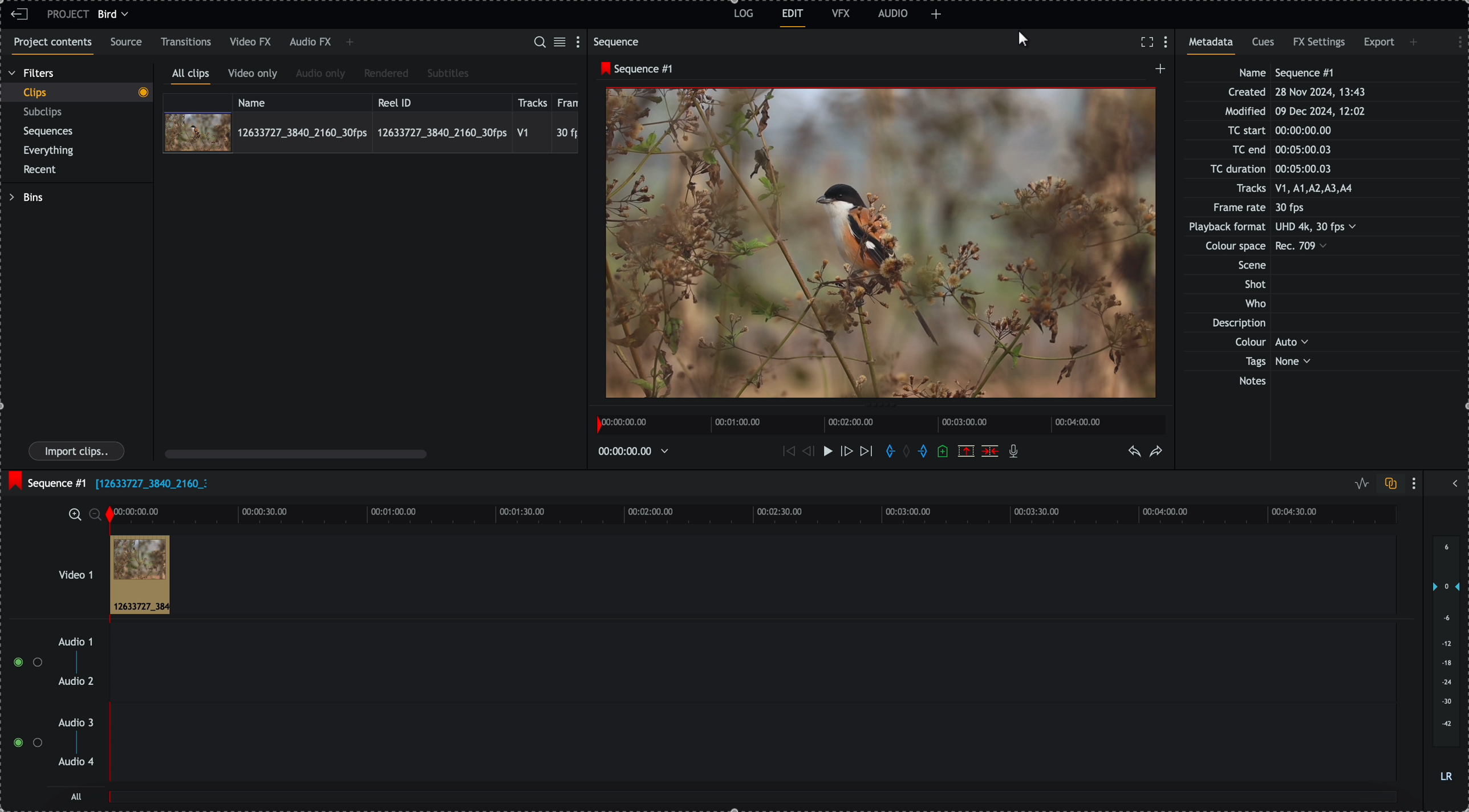 The width and height of the screenshot is (1469, 812). I want to click on add panel, so click(350, 43).